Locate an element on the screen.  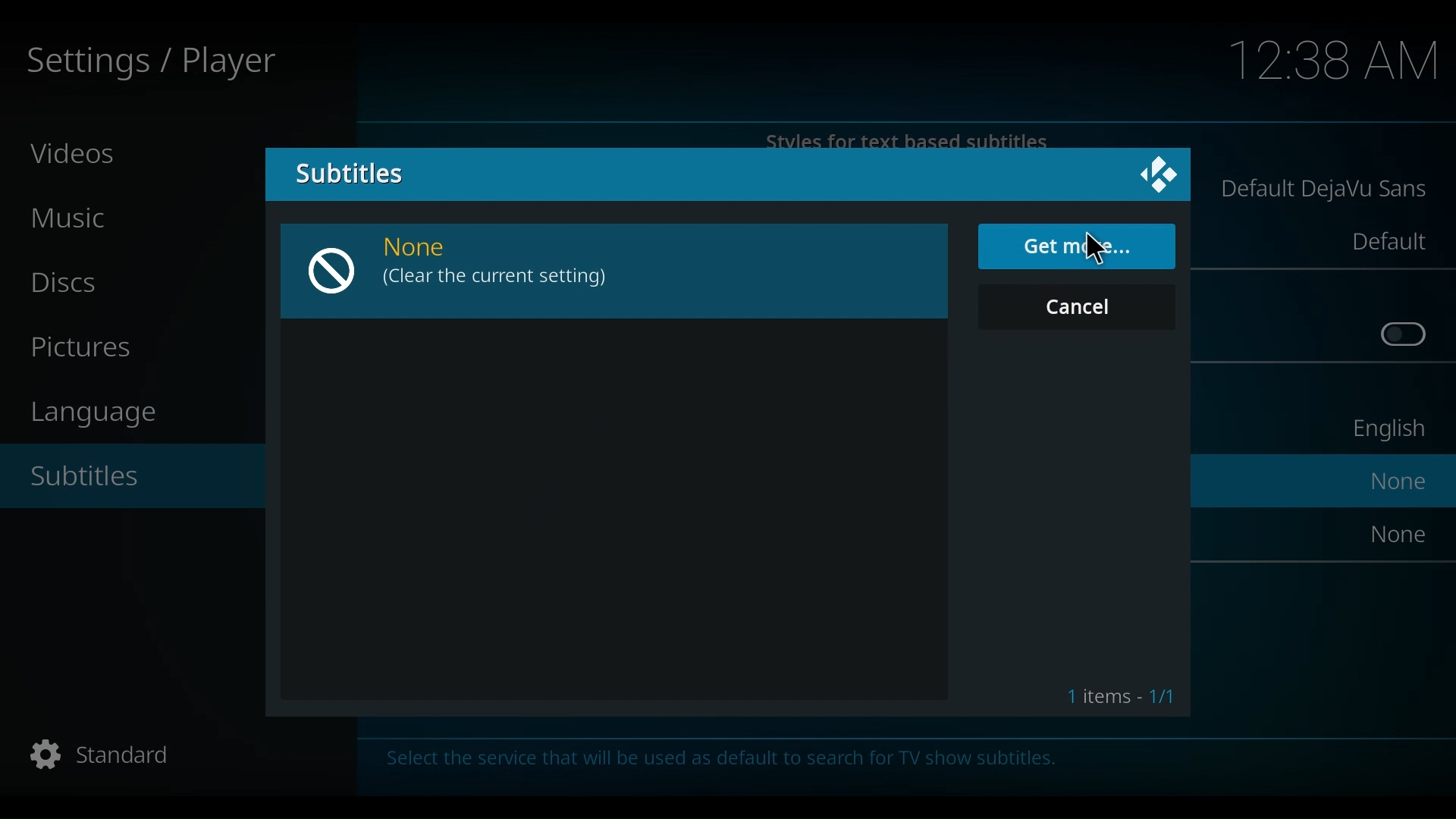
Subtitles is located at coordinates (97, 479).